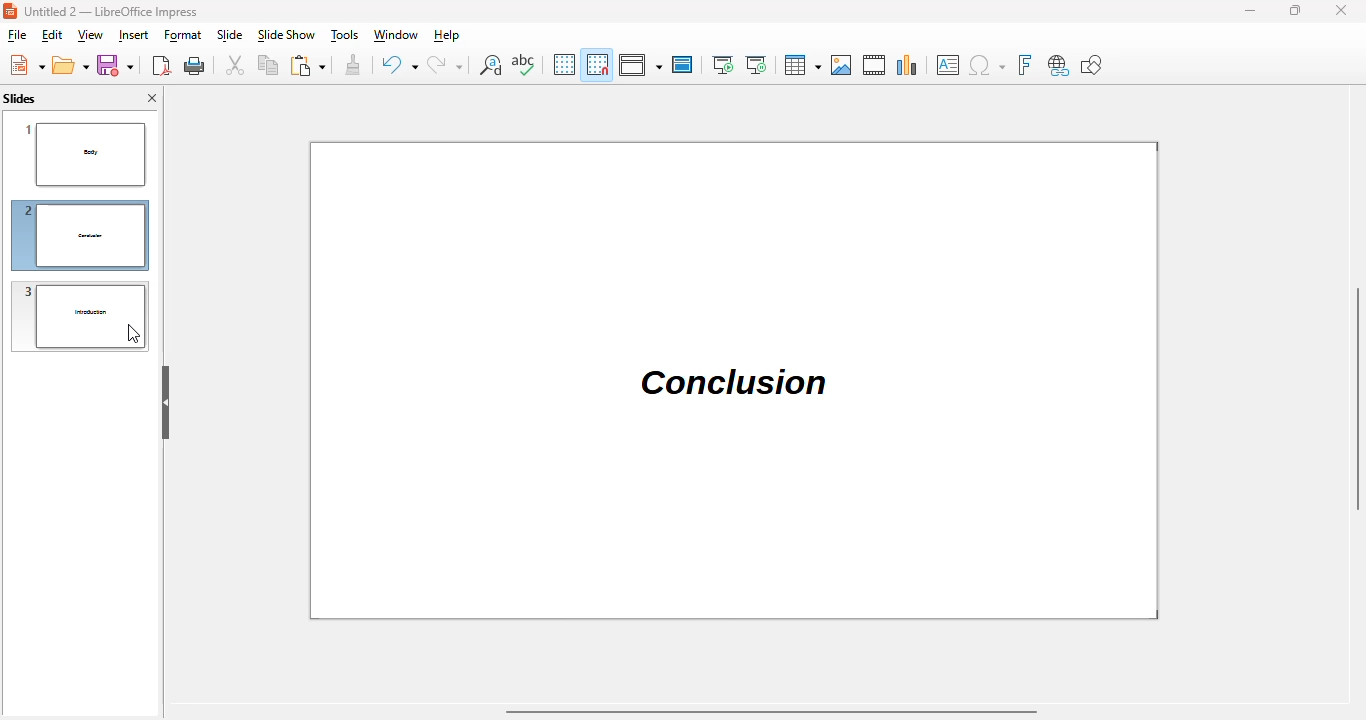  Describe the element at coordinates (598, 64) in the screenshot. I see `snap to grid` at that location.